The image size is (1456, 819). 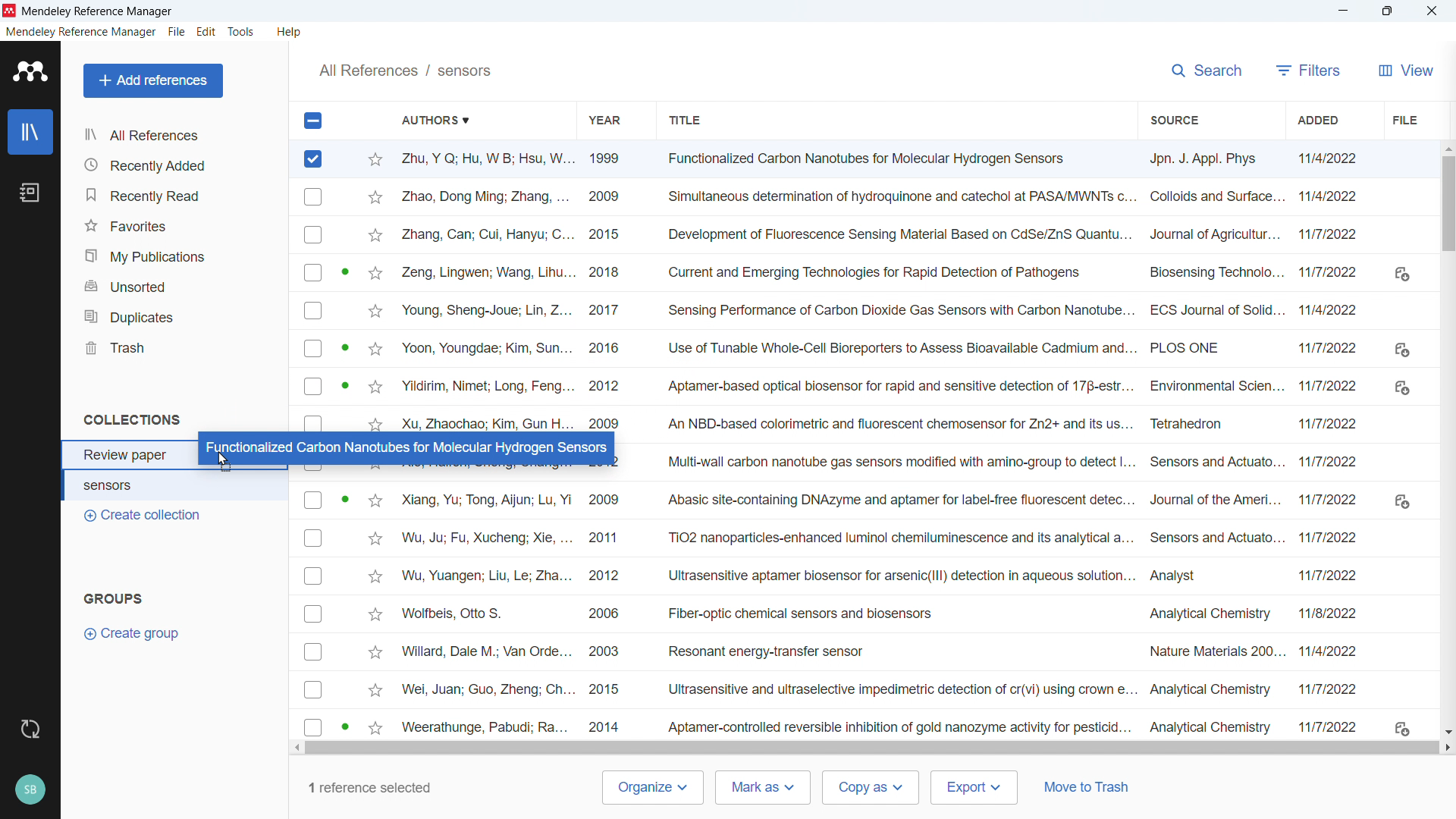 What do you see at coordinates (177, 134) in the screenshot?
I see `All references ` at bounding box center [177, 134].